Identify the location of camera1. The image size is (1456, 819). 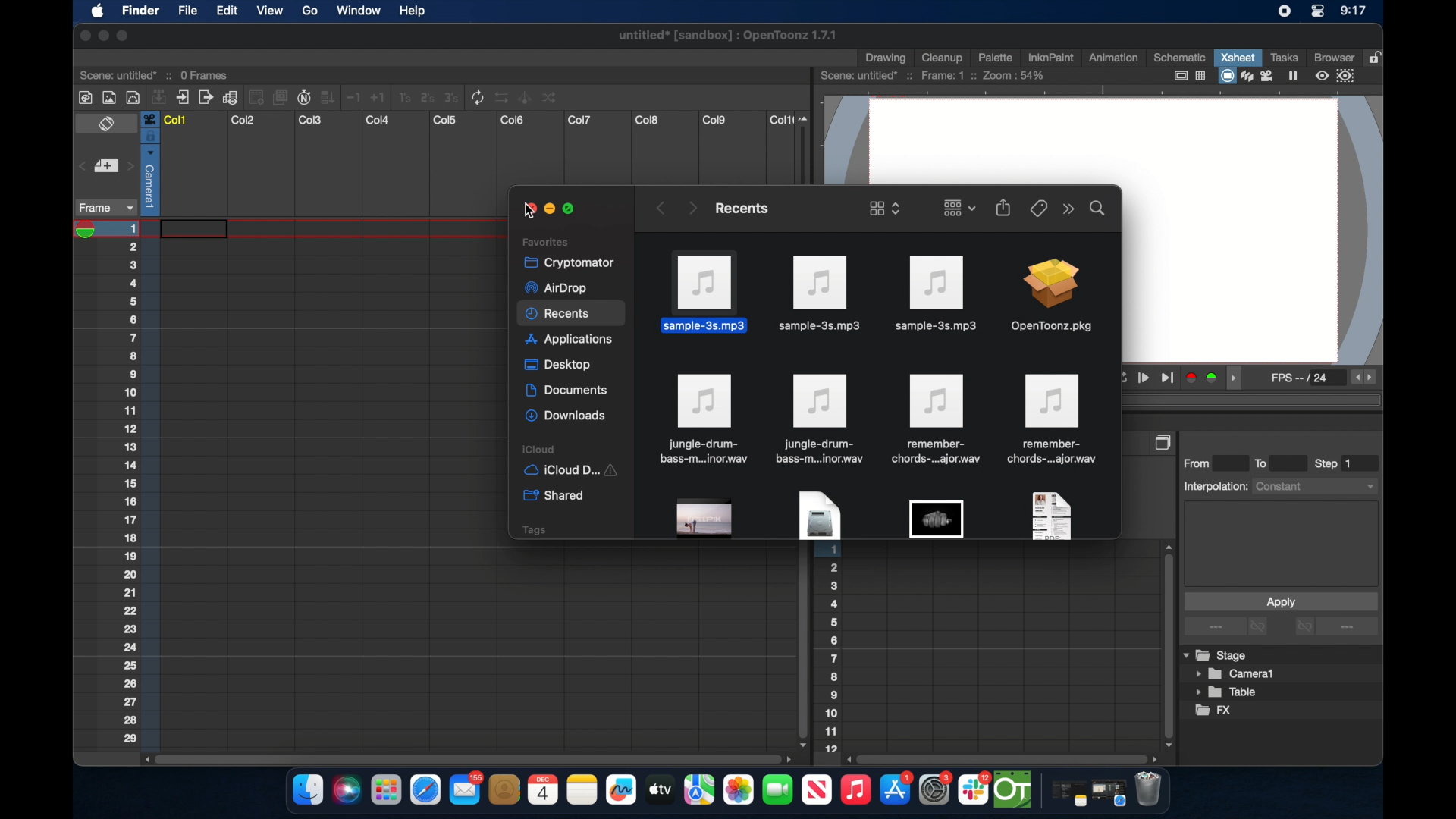
(1236, 674).